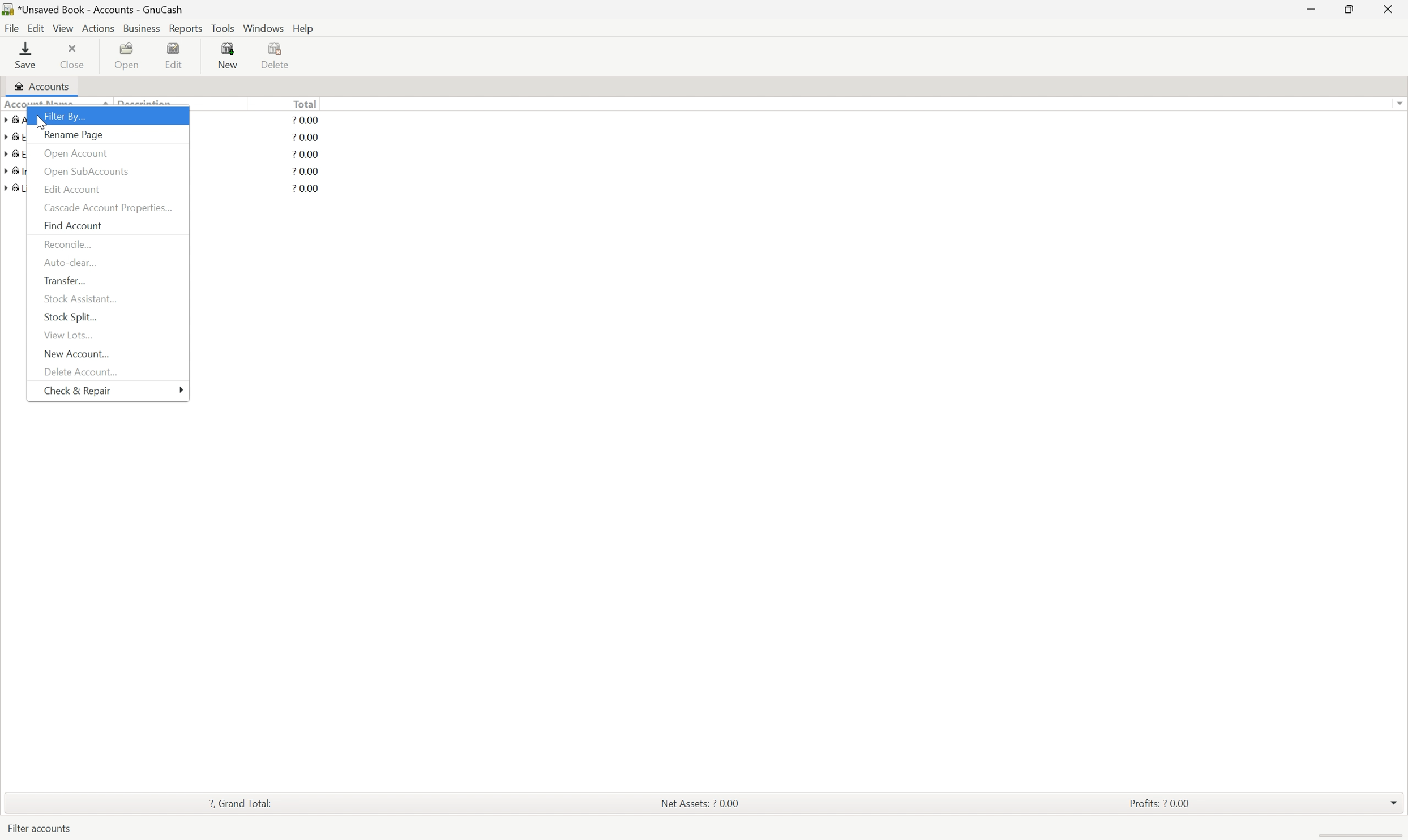 The image size is (1408, 840). Describe the element at coordinates (141, 28) in the screenshot. I see `Business` at that location.